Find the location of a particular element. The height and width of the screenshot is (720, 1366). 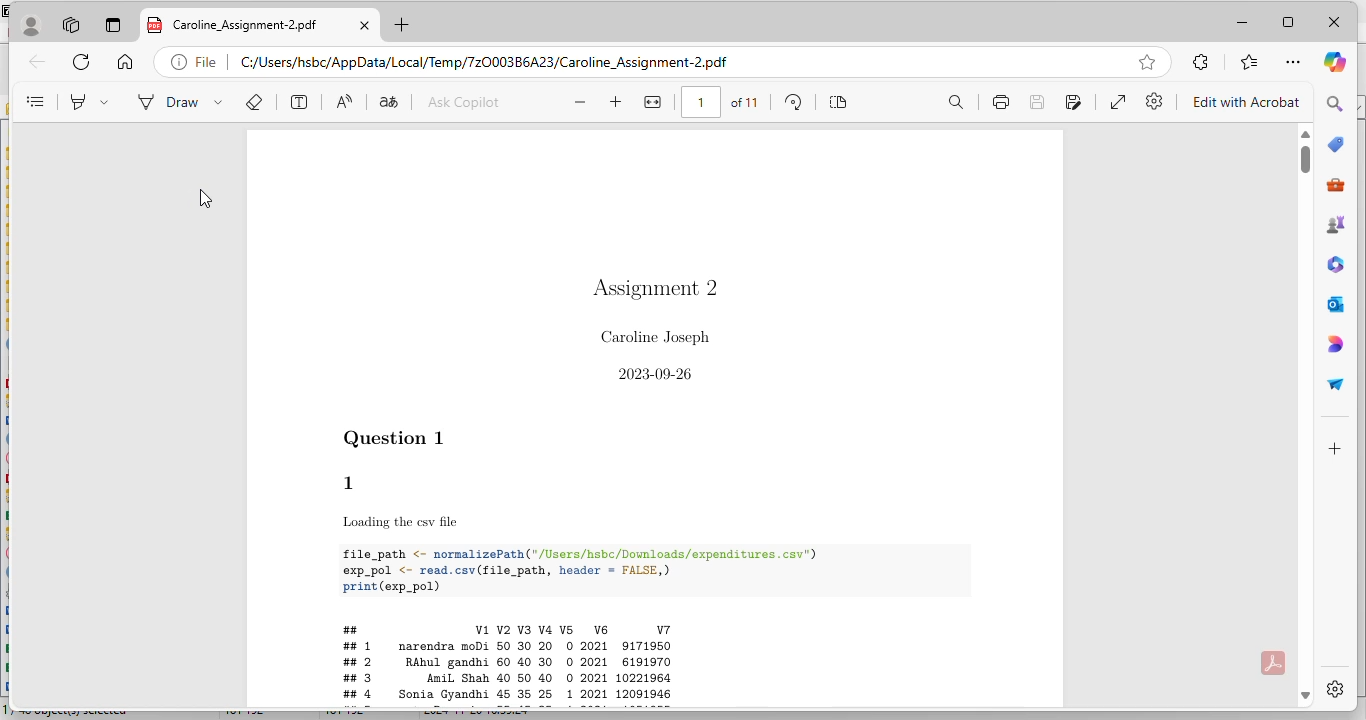

customize is located at coordinates (1334, 449).